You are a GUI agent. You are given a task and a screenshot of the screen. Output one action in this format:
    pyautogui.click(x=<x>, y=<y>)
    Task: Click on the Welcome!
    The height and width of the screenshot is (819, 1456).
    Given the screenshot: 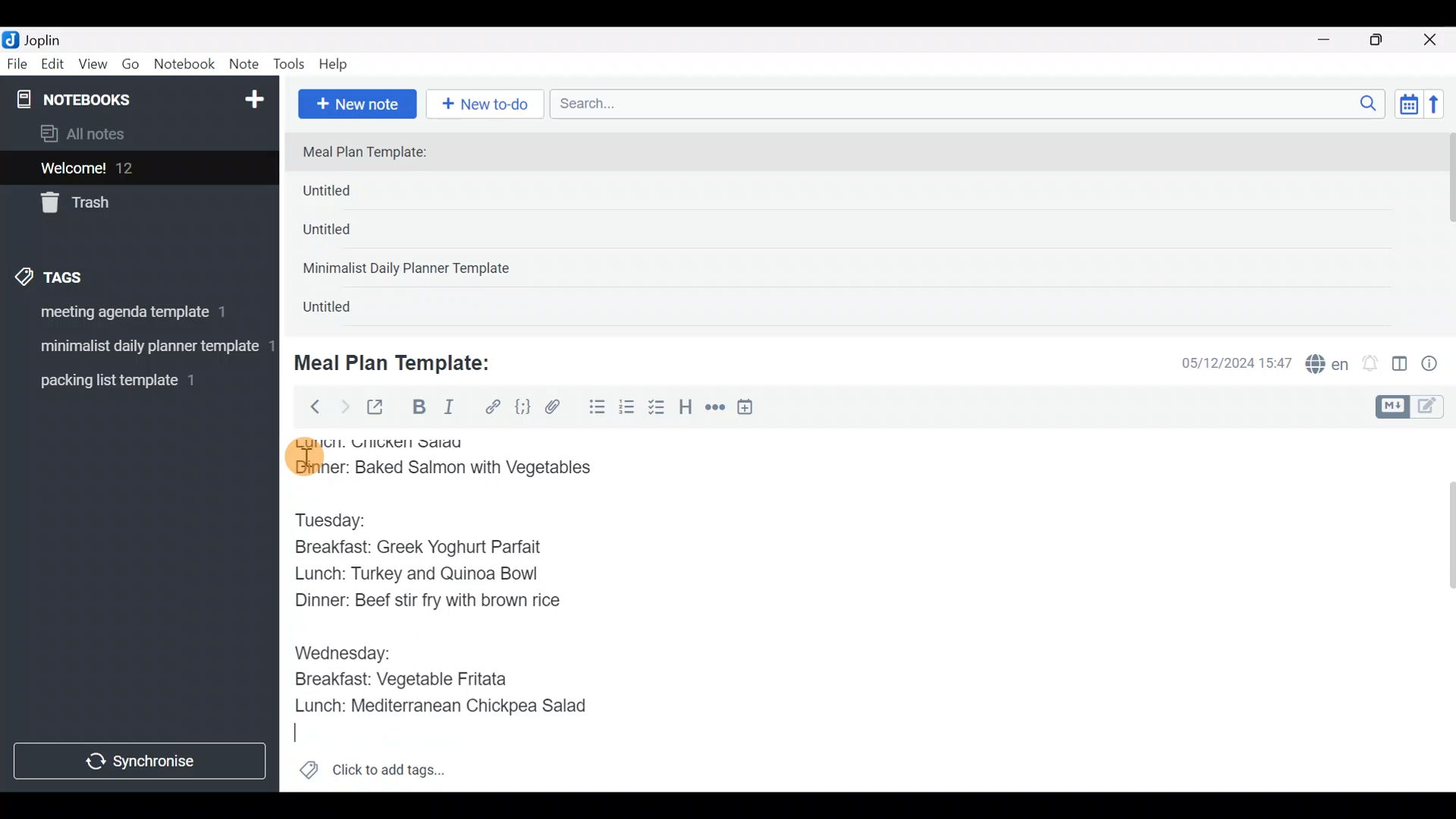 What is the action you would take?
    pyautogui.click(x=137, y=169)
    